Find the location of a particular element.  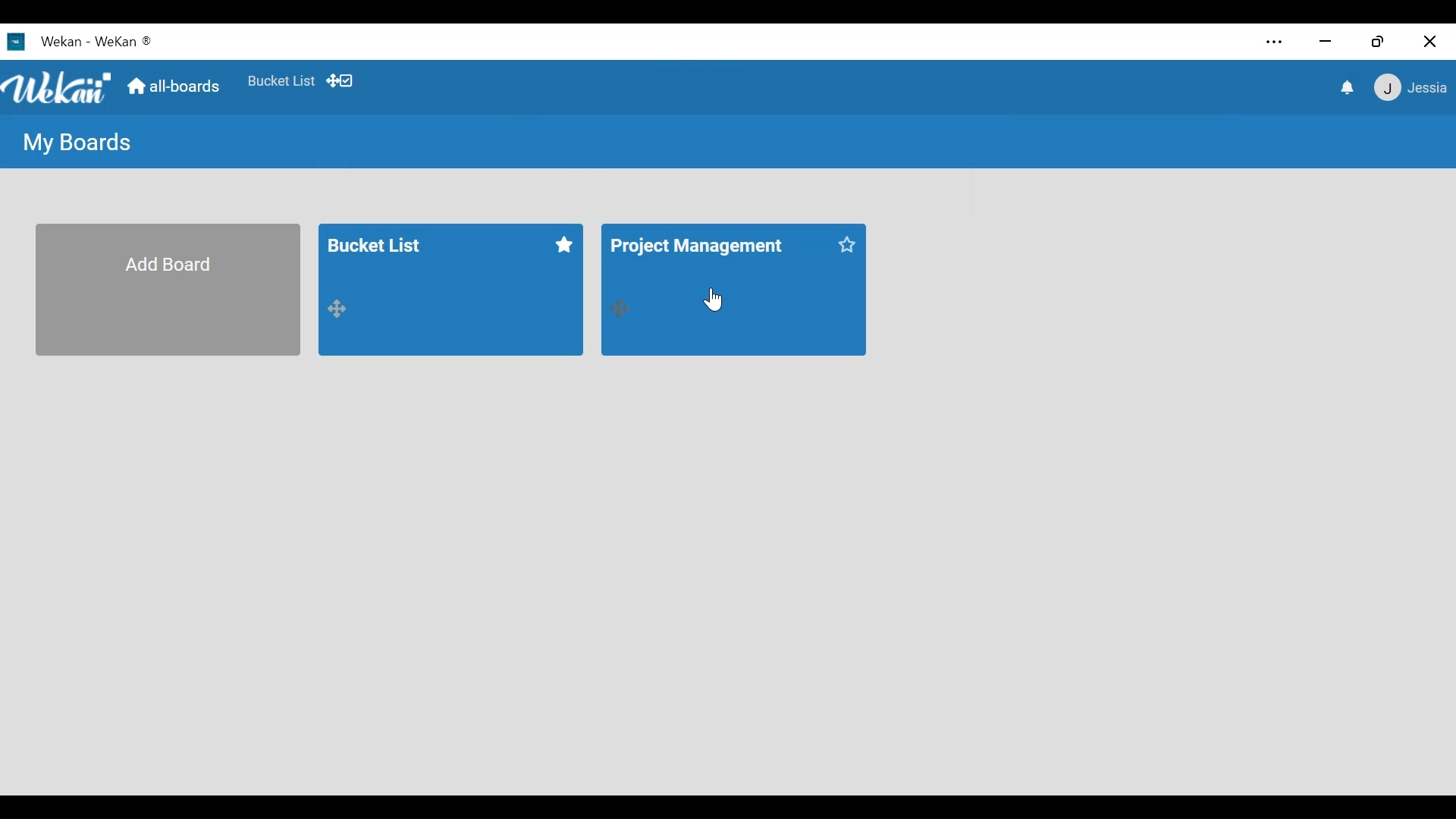

Home (all-boards) is located at coordinates (176, 88).